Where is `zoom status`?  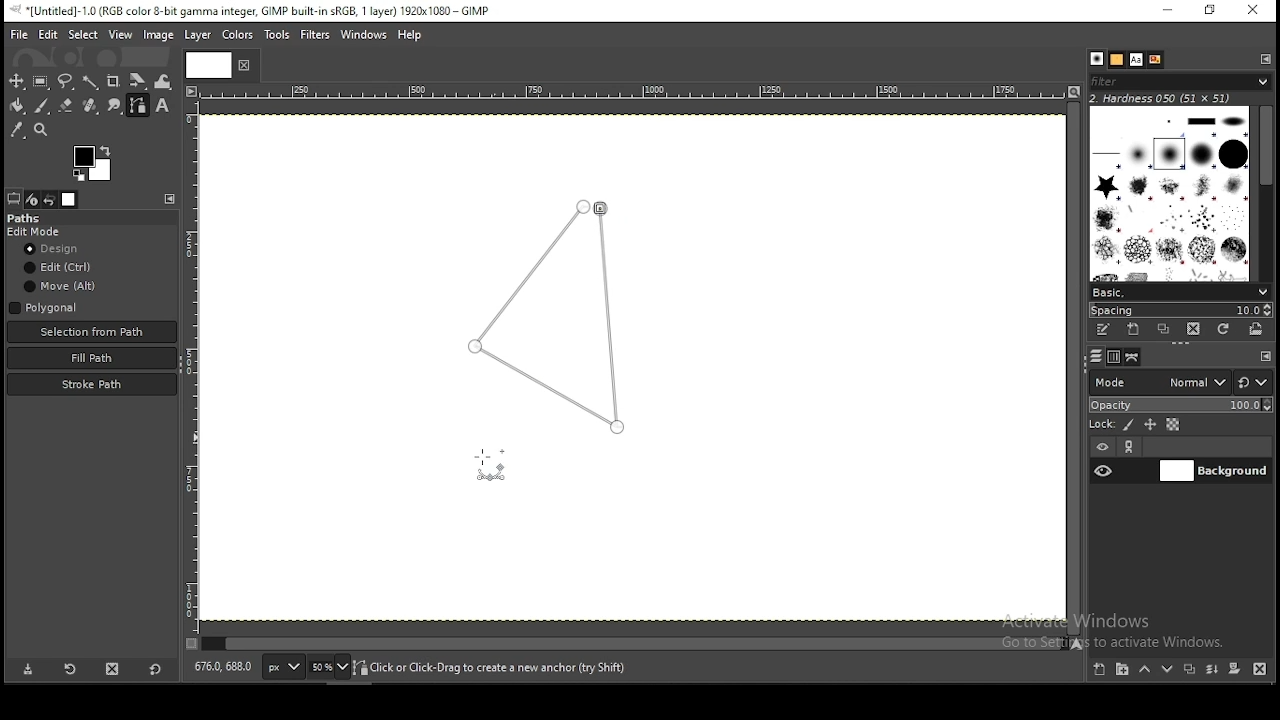
zoom status is located at coordinates (329, 667).